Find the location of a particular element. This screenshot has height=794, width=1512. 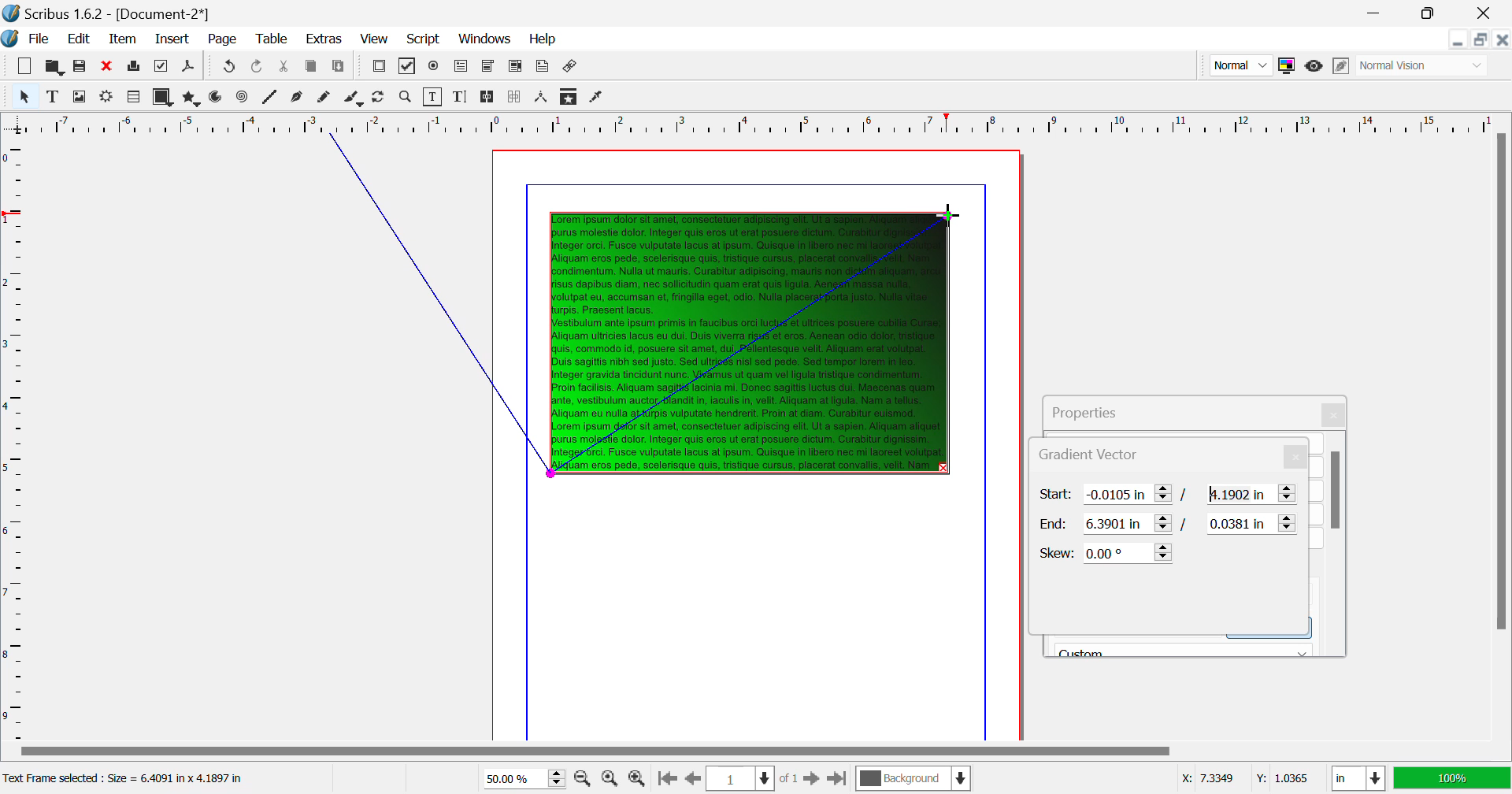

Next Page is located at coordinates (811, 777).